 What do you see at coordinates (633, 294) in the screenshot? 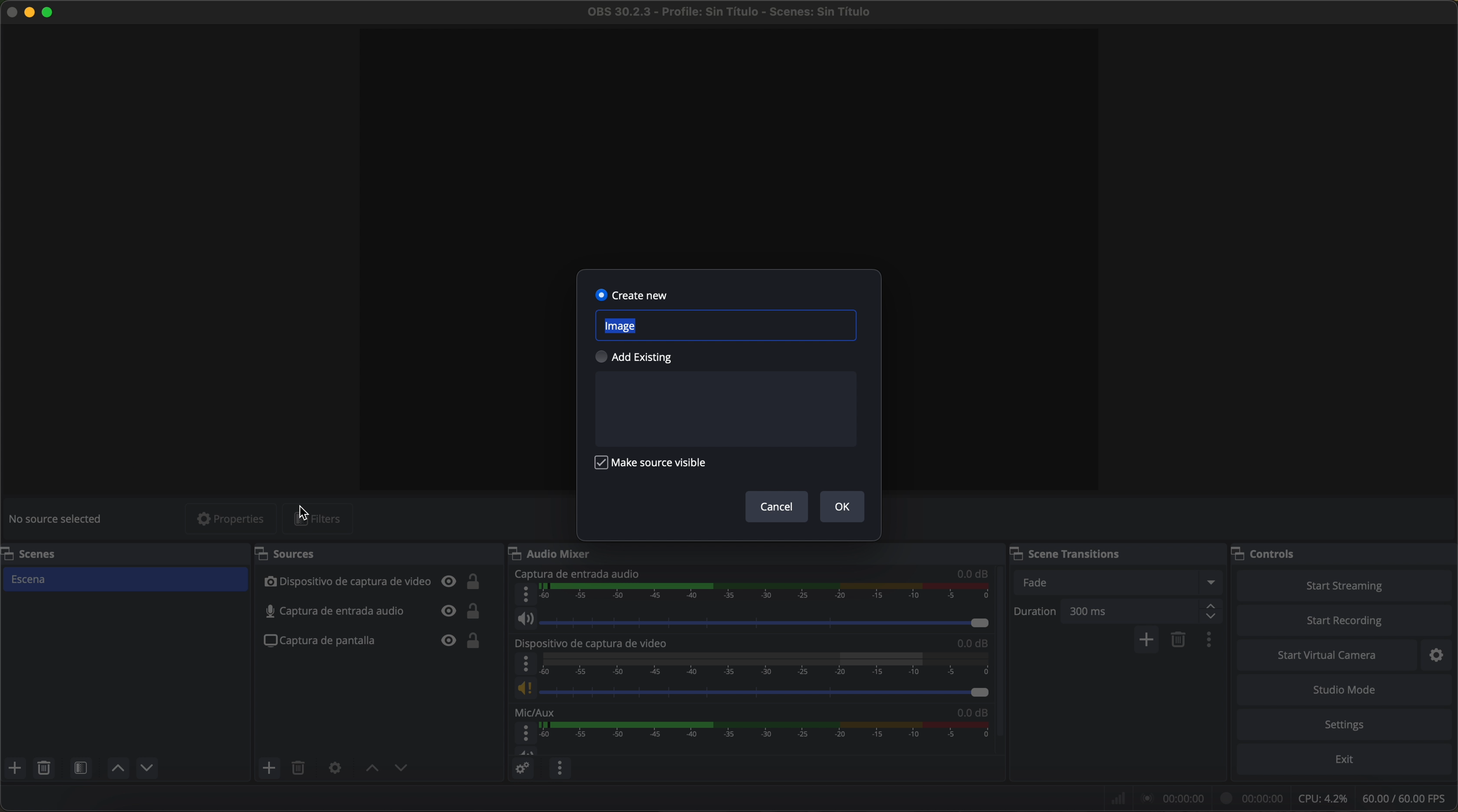
I see `create new selected` at bounding box center [633, 294].